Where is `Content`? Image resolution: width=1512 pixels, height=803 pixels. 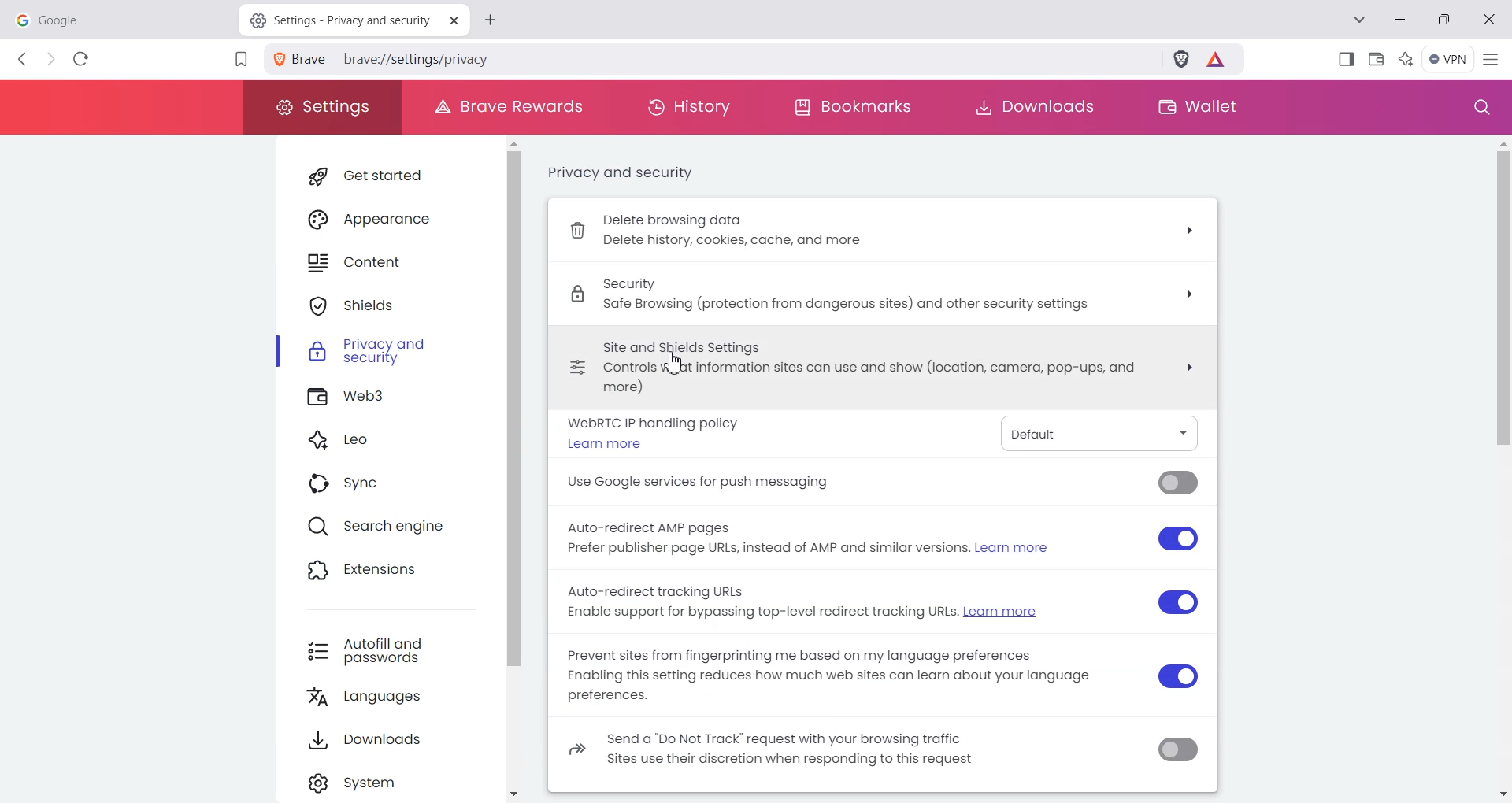 Content is located at coordinates (388, 263).